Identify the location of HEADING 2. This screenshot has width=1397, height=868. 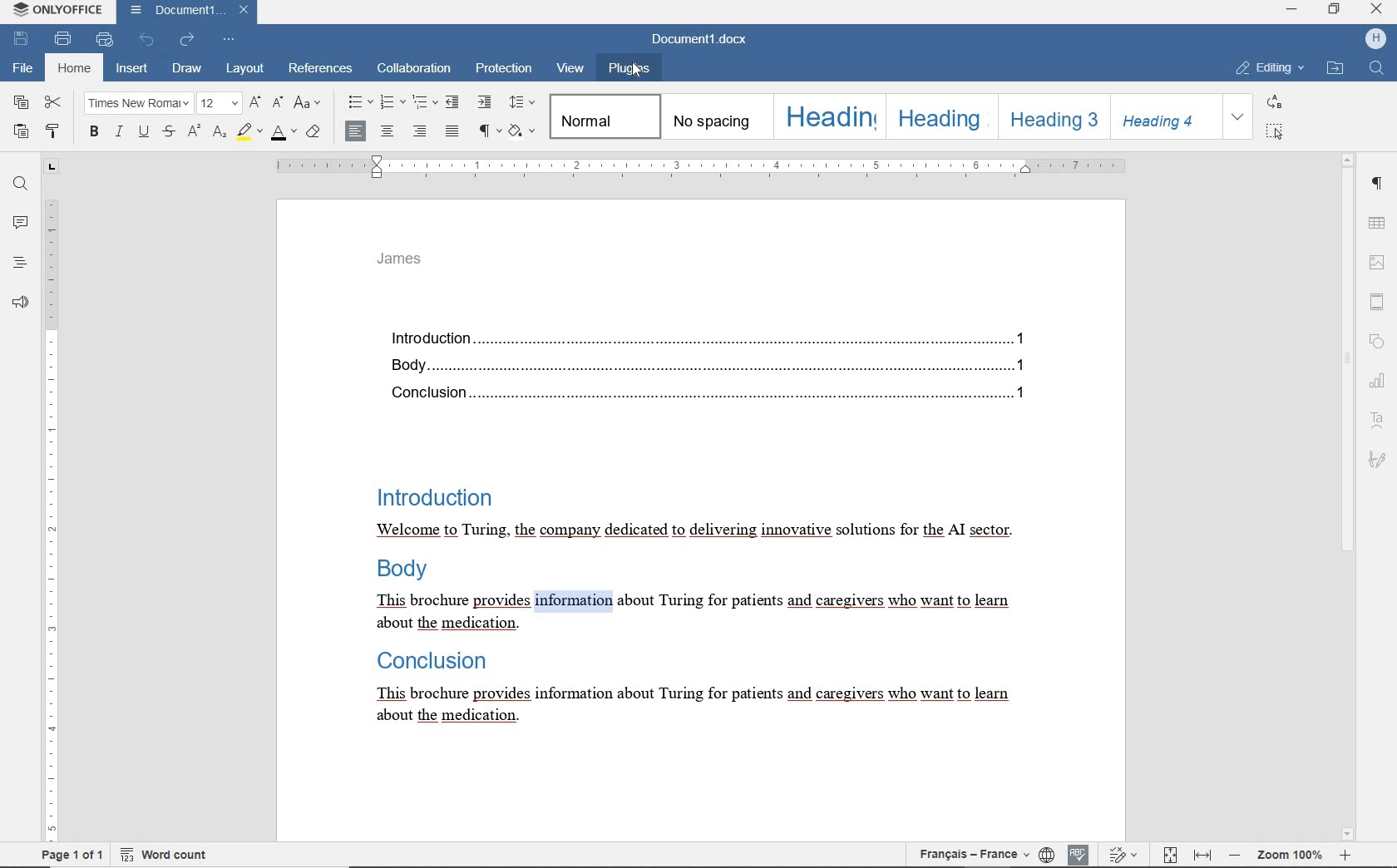
(940, 116).